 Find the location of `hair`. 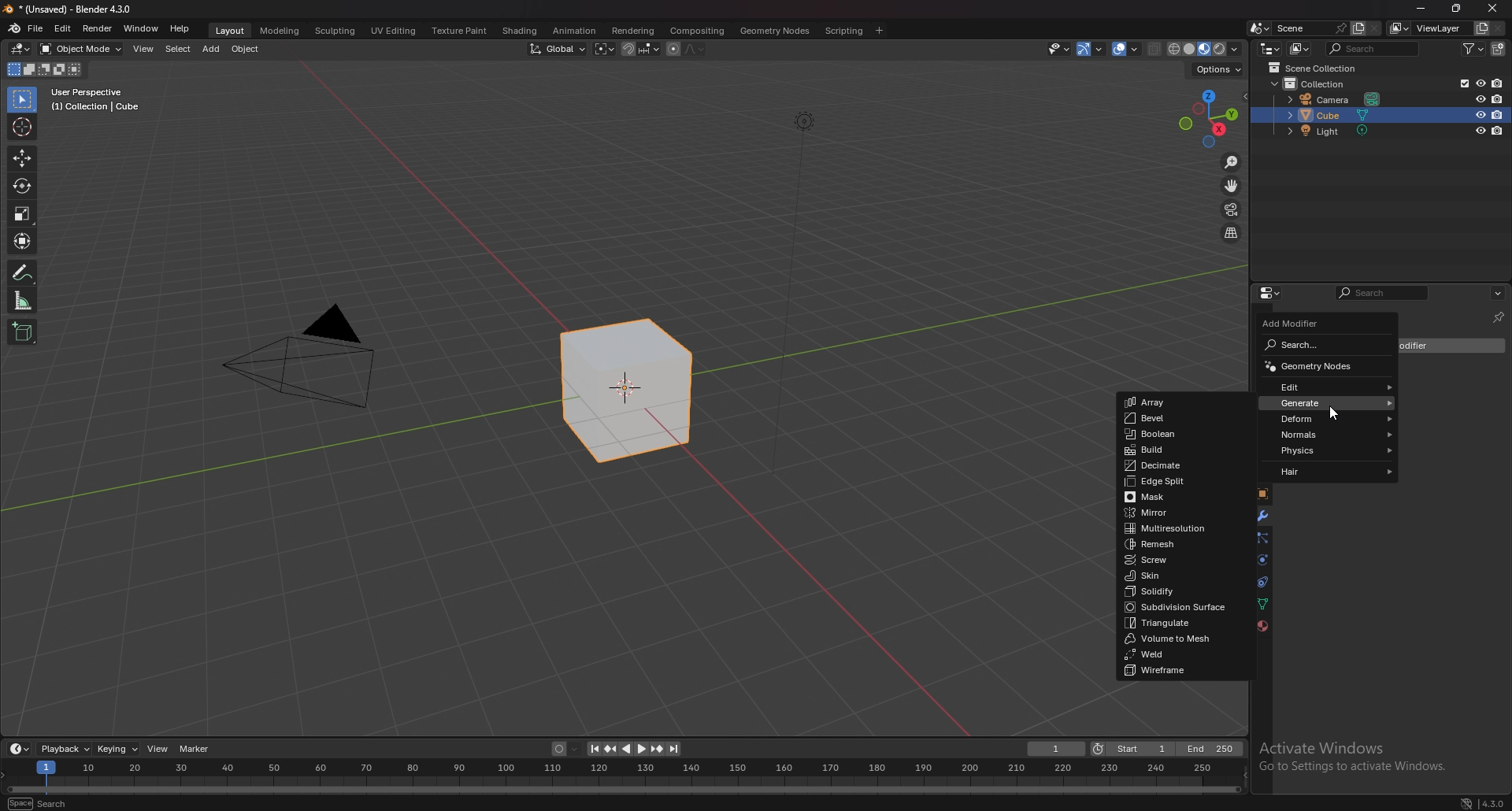

hair is located at coordinates (1329, 472).